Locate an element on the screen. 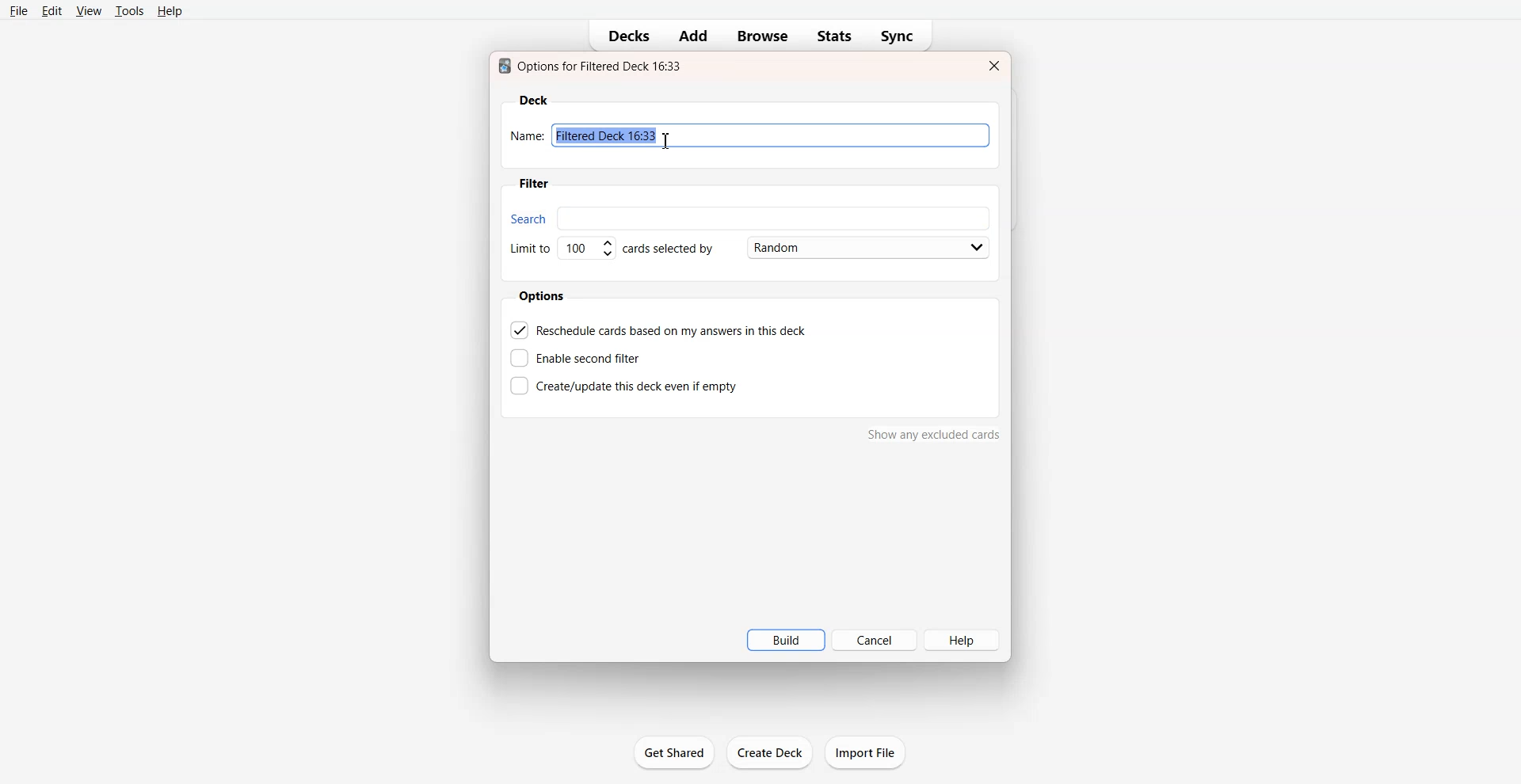 The width and height of the screenshot is (1521, 784). View is located at coordinates (89, 10).